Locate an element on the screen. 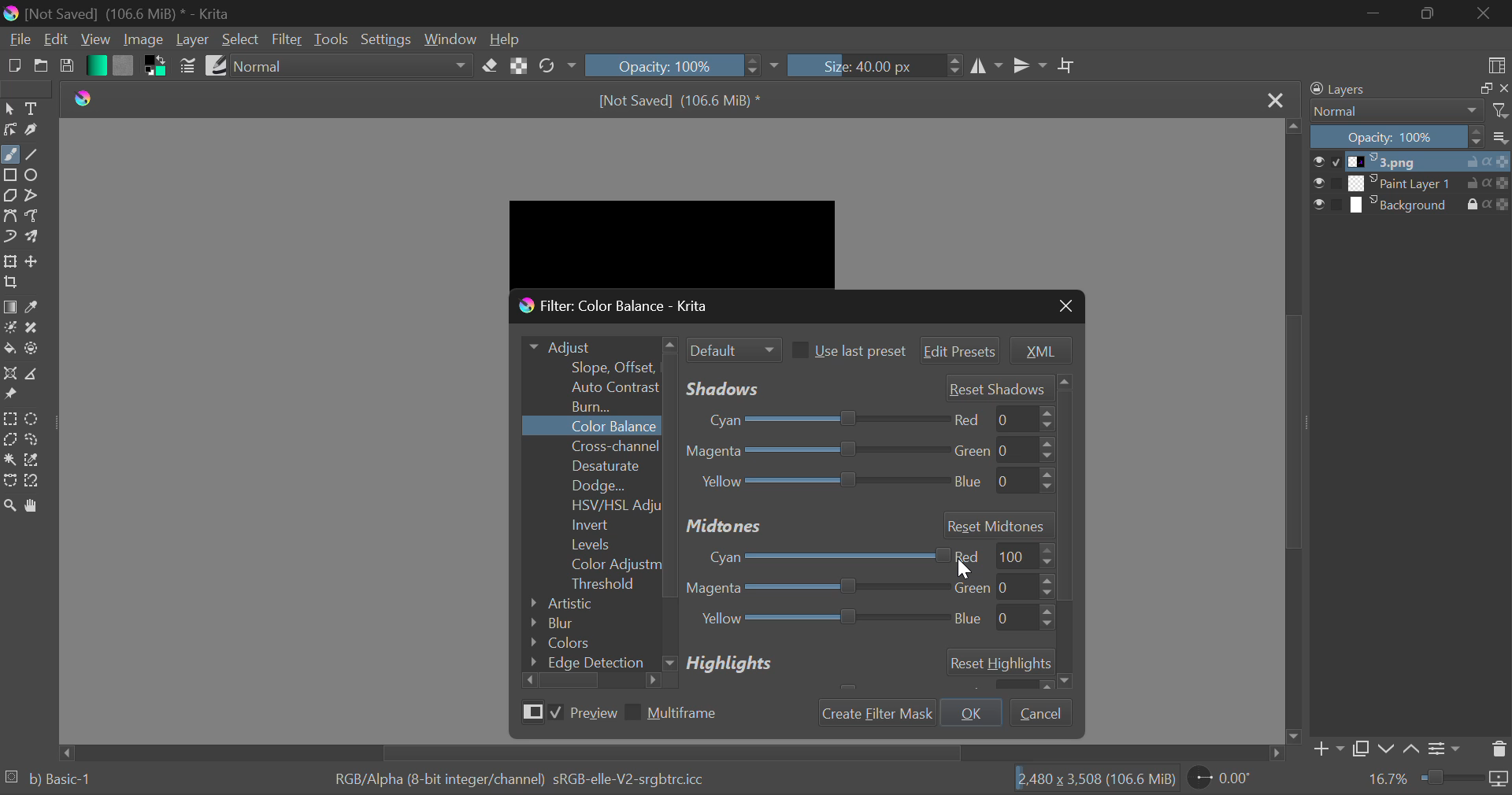  red is located at coordinates (999, 419).